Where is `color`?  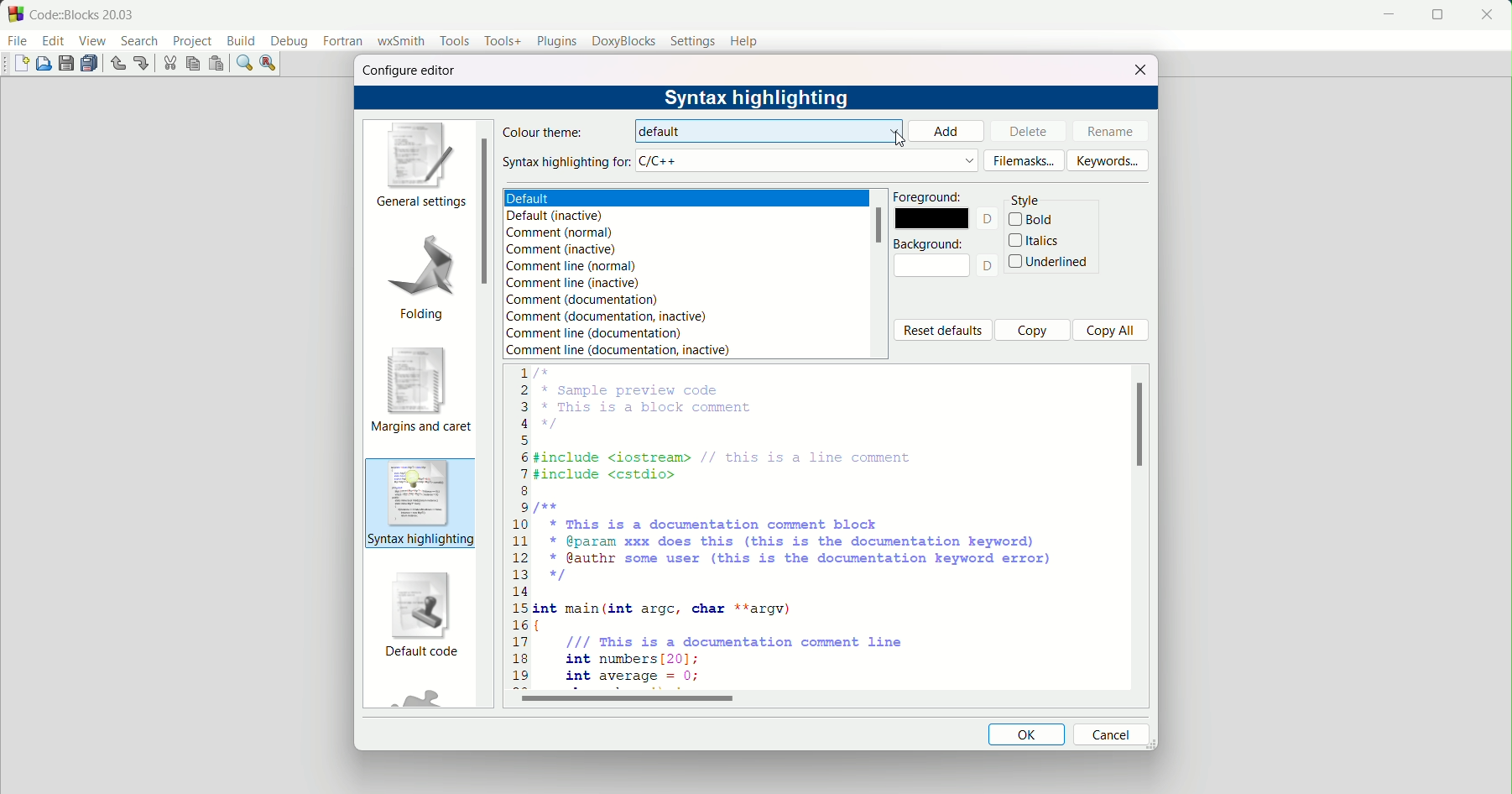
color is located at coordinates (932, 265).